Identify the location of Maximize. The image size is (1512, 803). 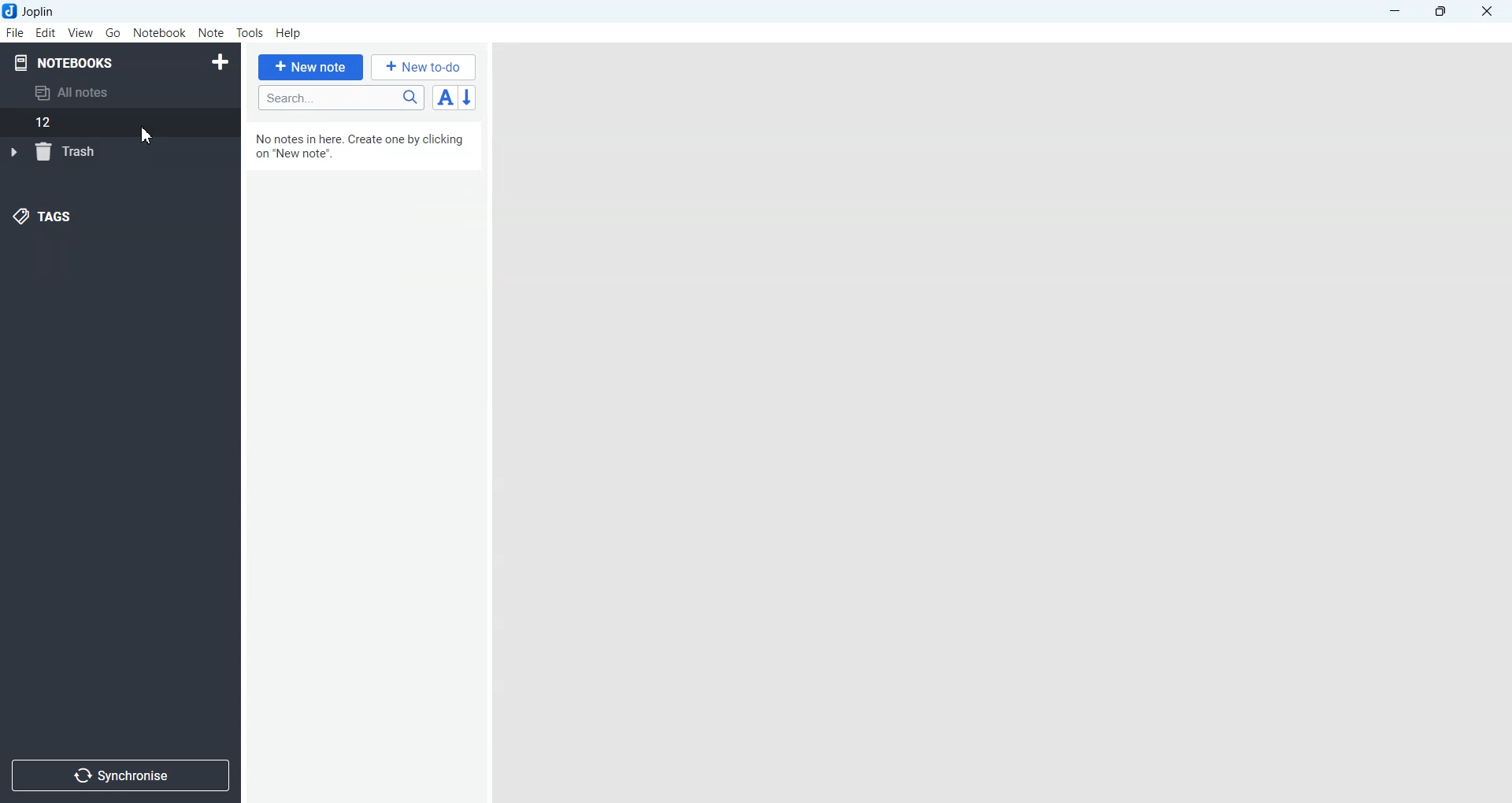
(1443, 12).